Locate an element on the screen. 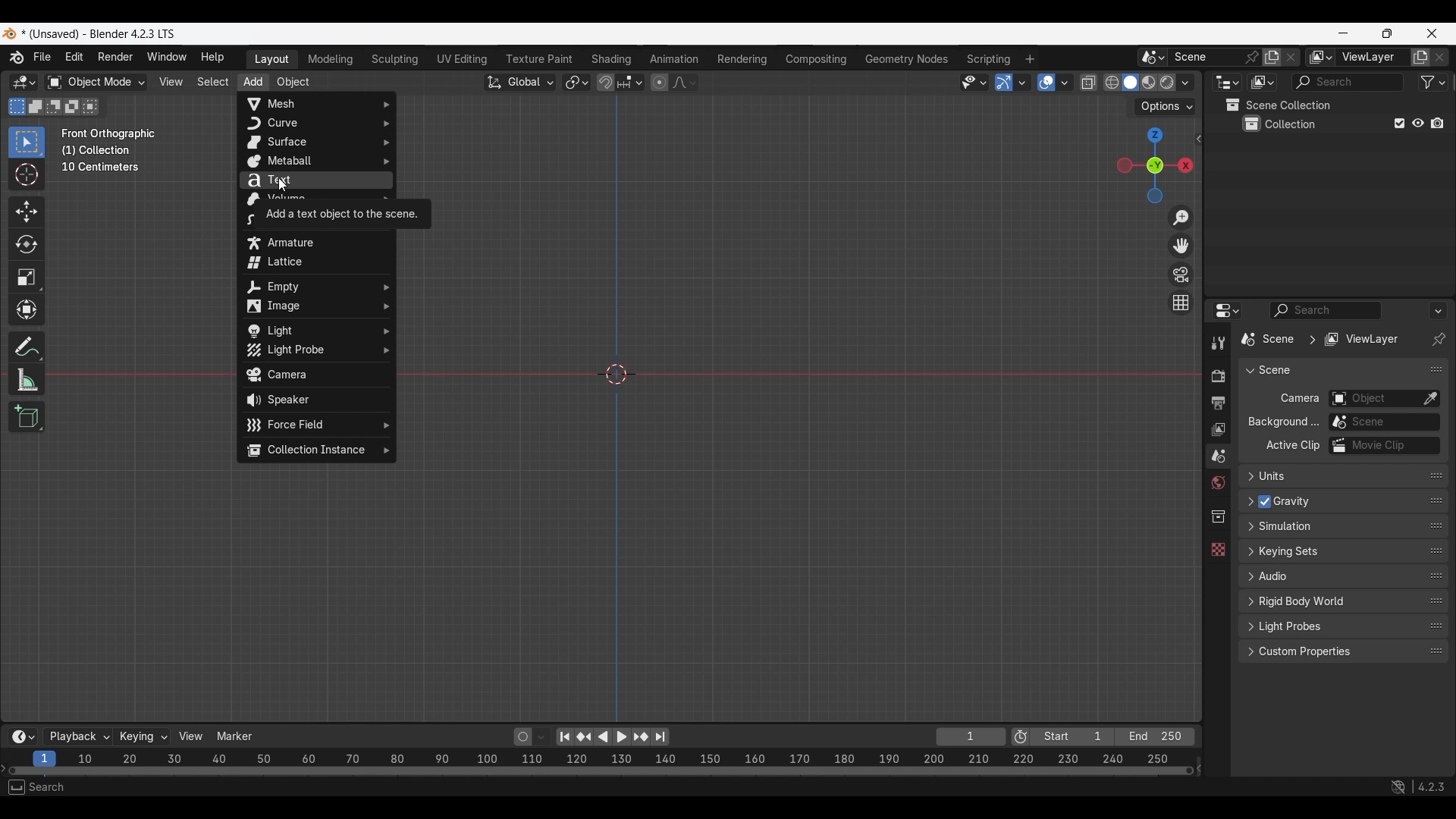 The width and height of the screenshot is (1456, 819). Description of the current frame is located at coordinates (111, 151).